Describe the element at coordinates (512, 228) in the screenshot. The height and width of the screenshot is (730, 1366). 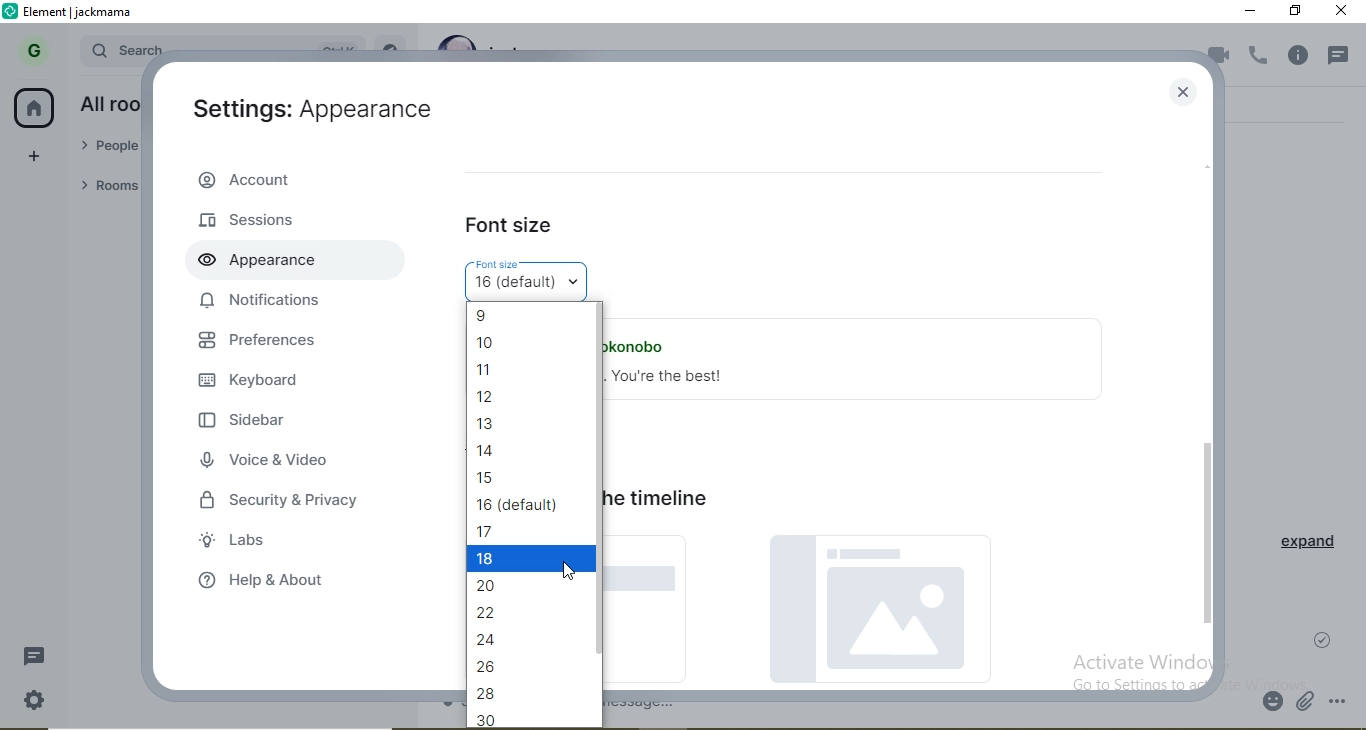
I see `font size` at that location.